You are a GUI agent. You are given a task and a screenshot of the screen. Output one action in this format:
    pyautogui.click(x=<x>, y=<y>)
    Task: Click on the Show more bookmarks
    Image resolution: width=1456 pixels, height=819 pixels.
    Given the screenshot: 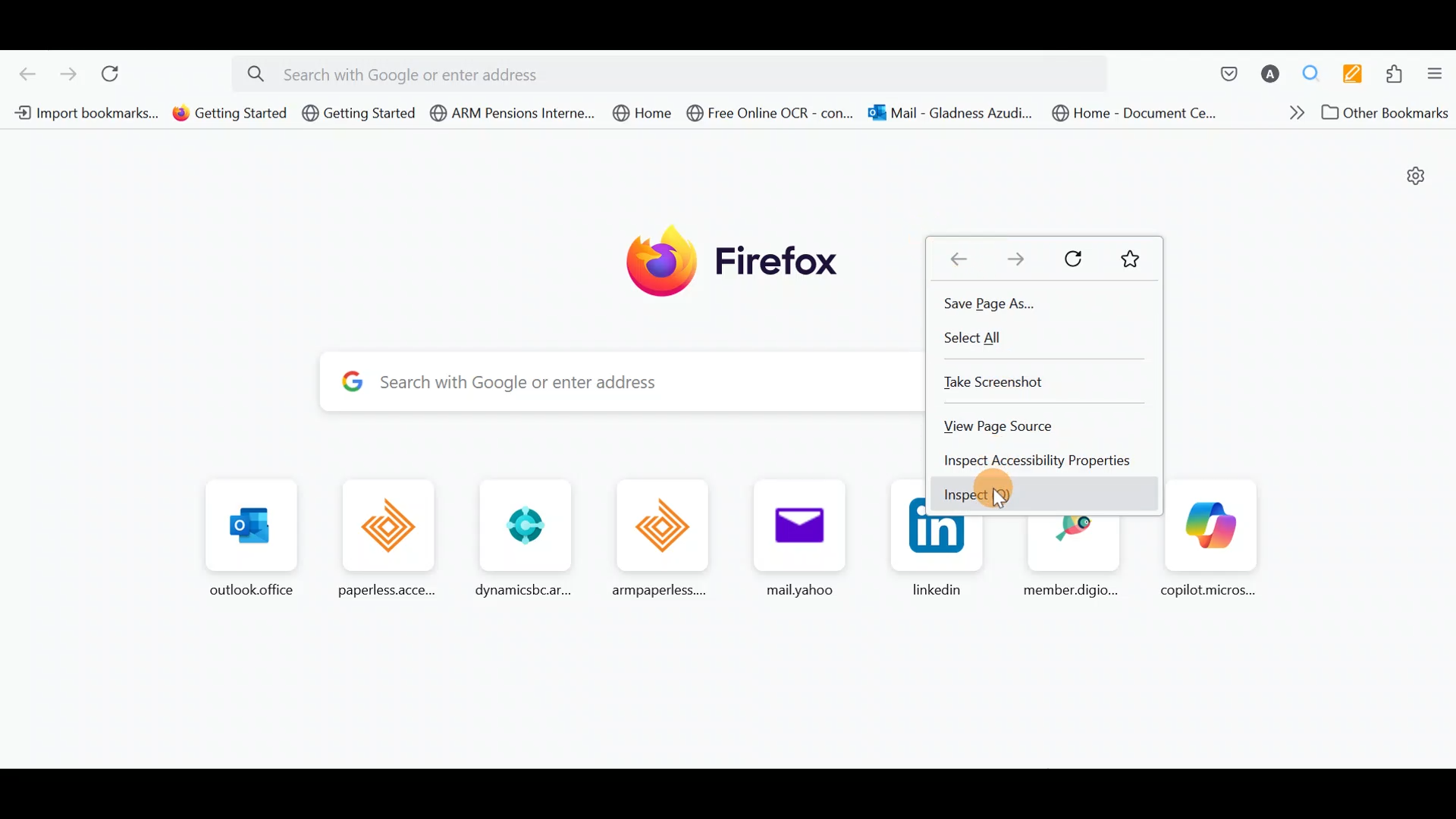 What is the action you would take?
    pyautogui.click(x=1291, y=116)
    